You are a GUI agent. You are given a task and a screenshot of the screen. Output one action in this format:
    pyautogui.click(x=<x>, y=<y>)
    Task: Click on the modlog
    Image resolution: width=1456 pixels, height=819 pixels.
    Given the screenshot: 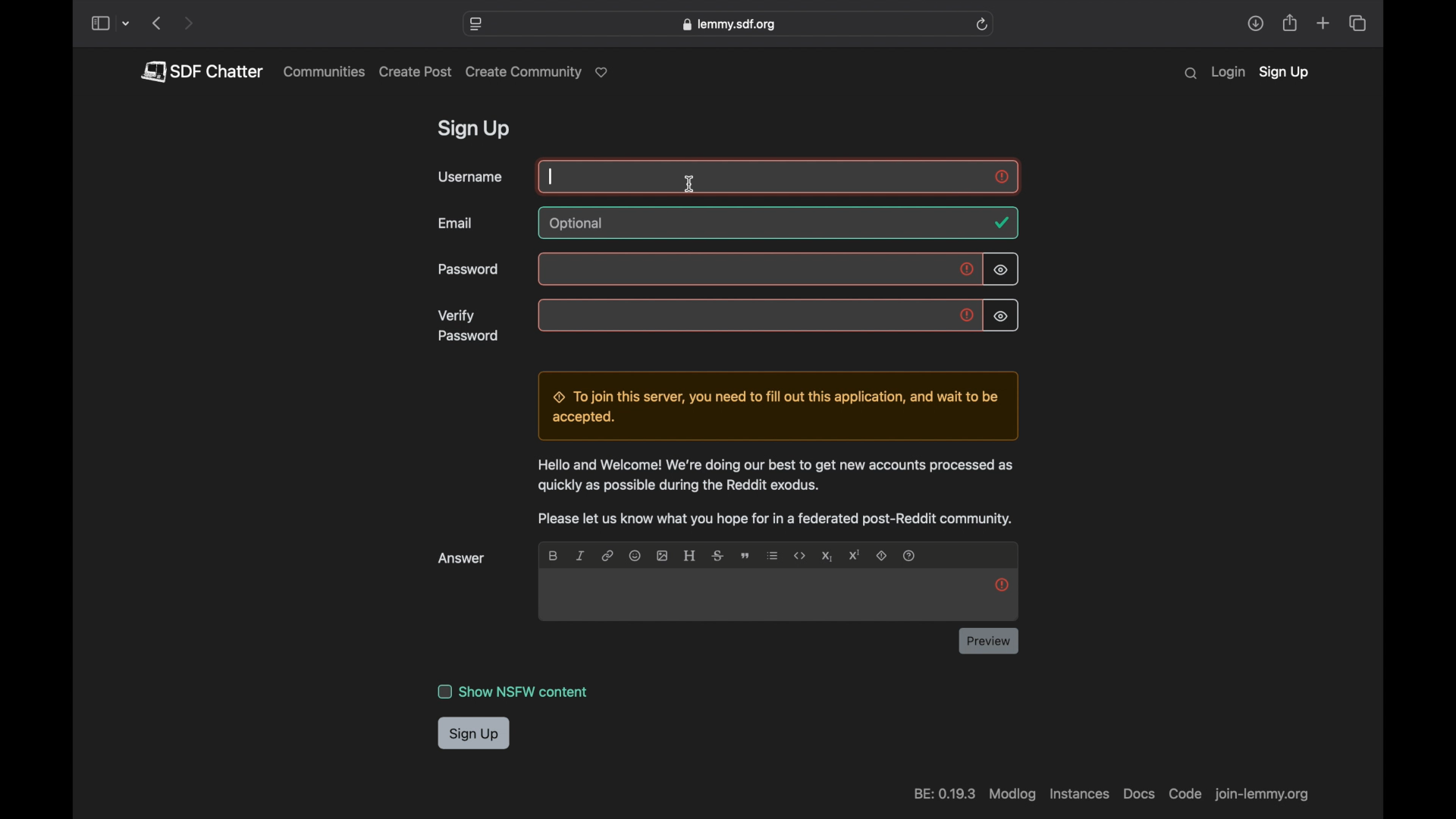 What is the action you would take?
    pyautogui.click(x=1011, y=795)
    